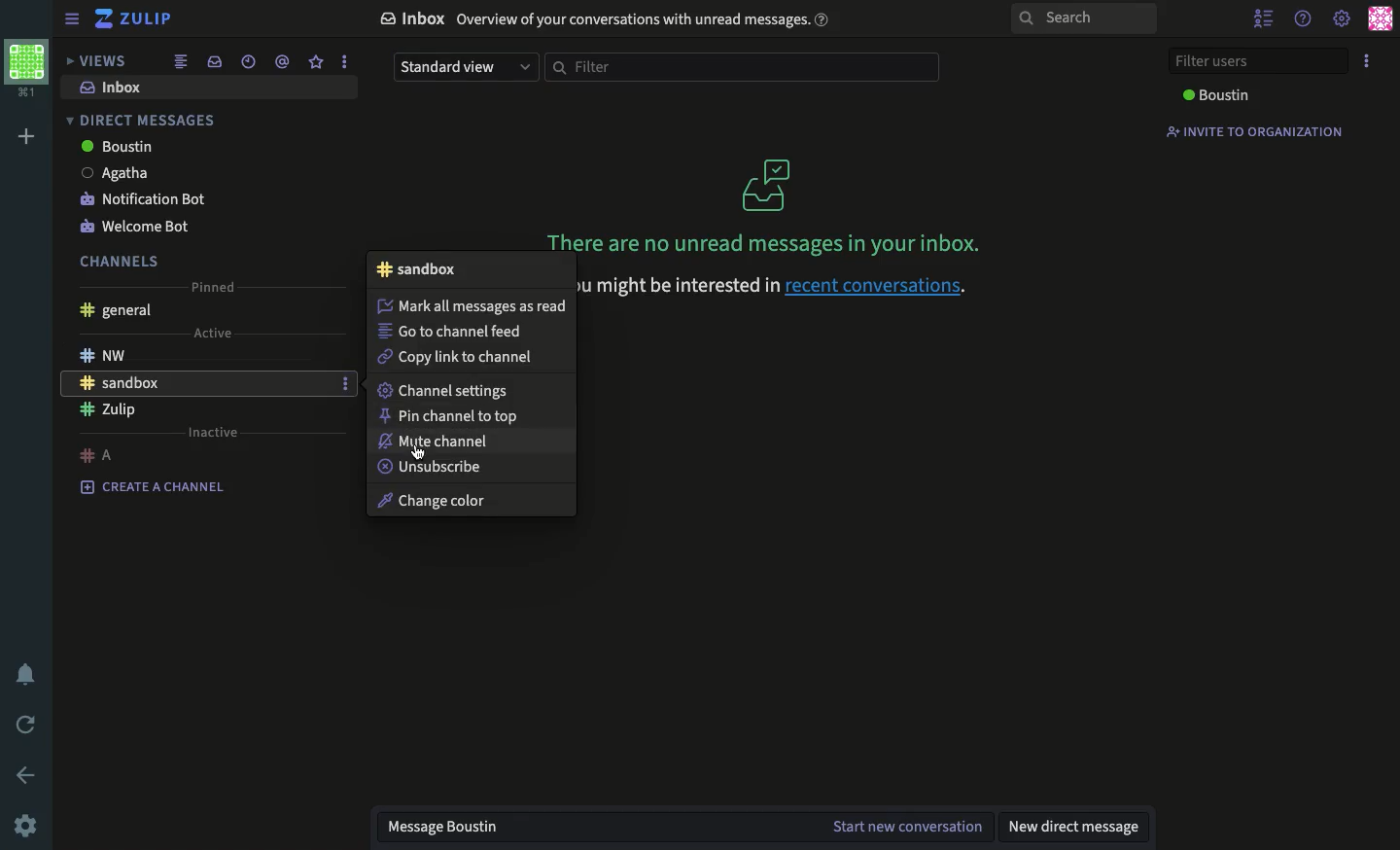 This screenshot has height=850, width=1400. What do you see at coordinates (1082, 830) in the screenshot?
I see `new direct message` at bounding box center [1082, 830].